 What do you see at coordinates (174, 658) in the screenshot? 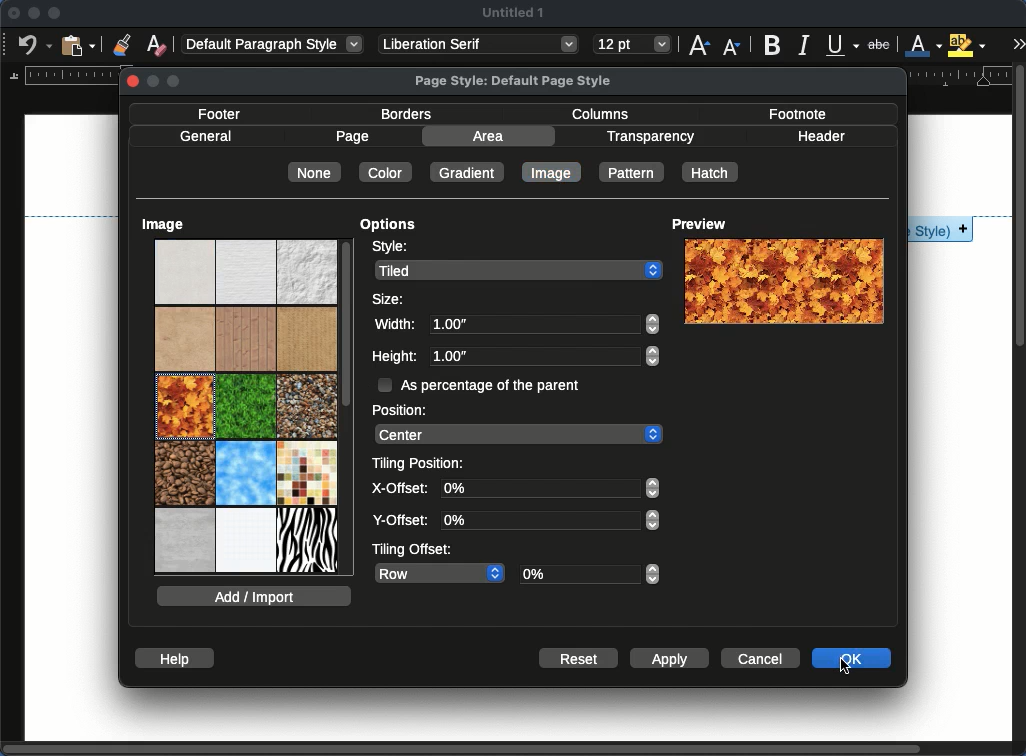
I see `help` at bounding box center [174, 658].